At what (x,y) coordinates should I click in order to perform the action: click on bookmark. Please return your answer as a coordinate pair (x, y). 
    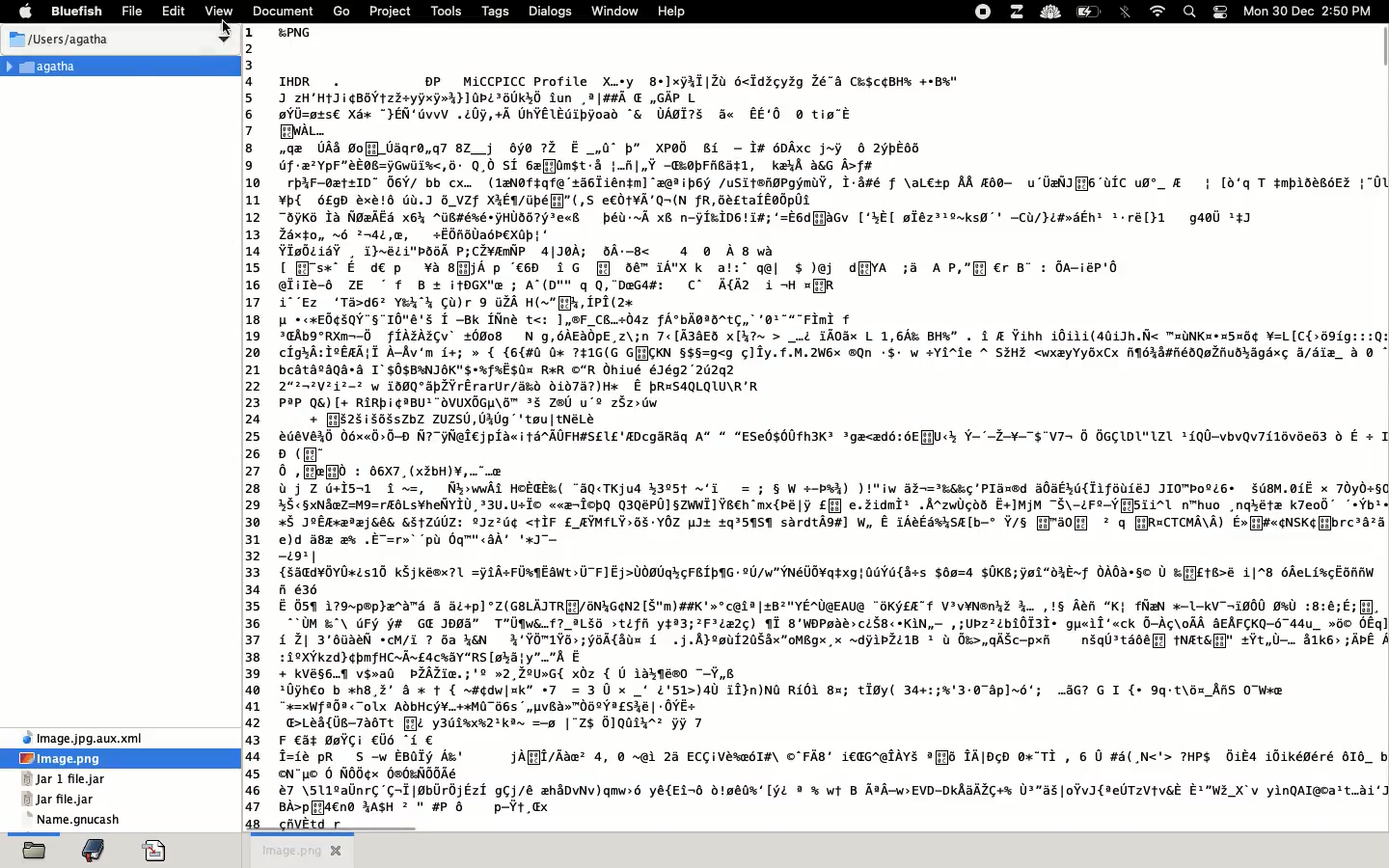
    Looking at the image, I should click on (93, 850).